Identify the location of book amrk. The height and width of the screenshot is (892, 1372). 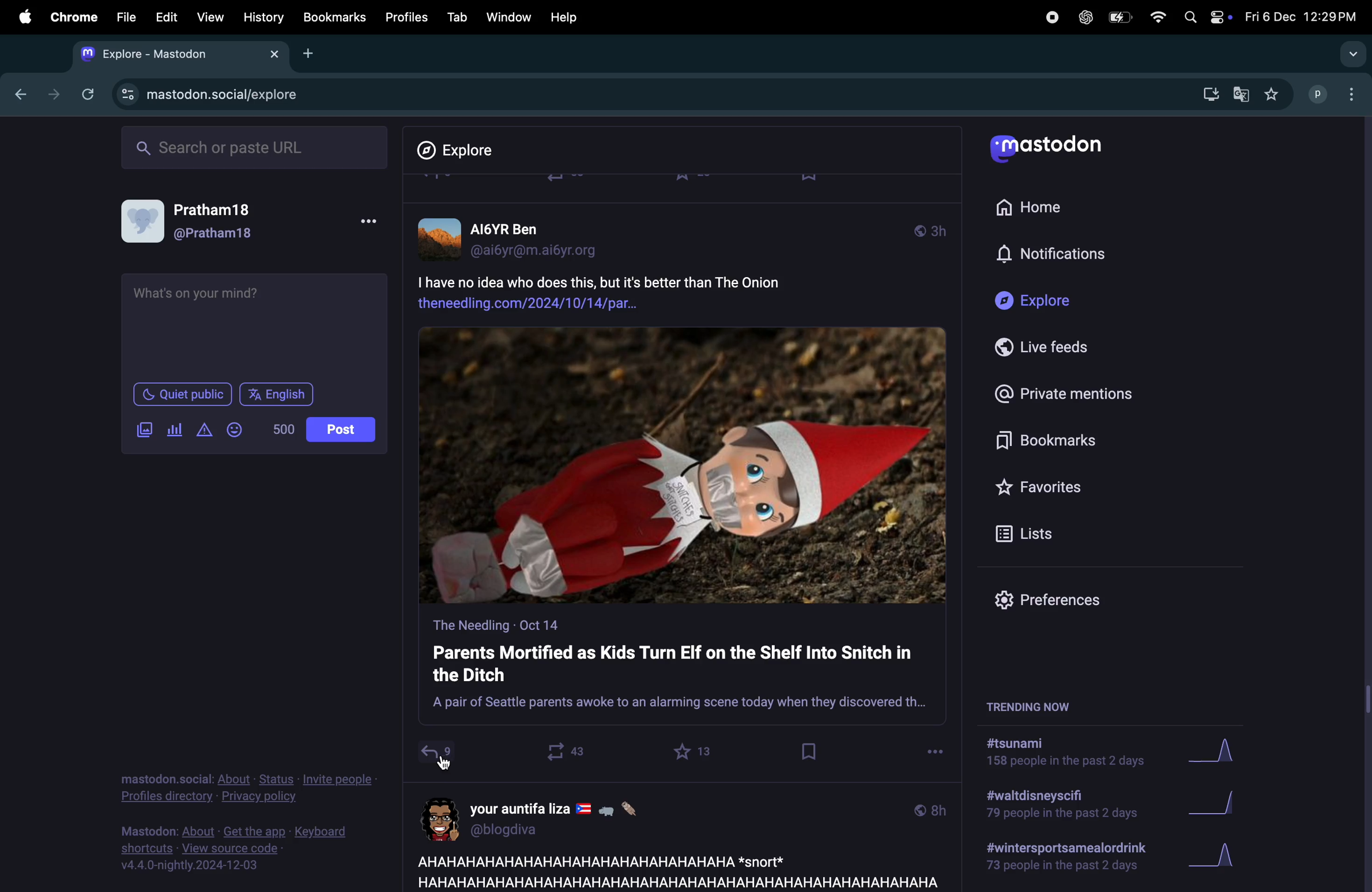
(811, 751).